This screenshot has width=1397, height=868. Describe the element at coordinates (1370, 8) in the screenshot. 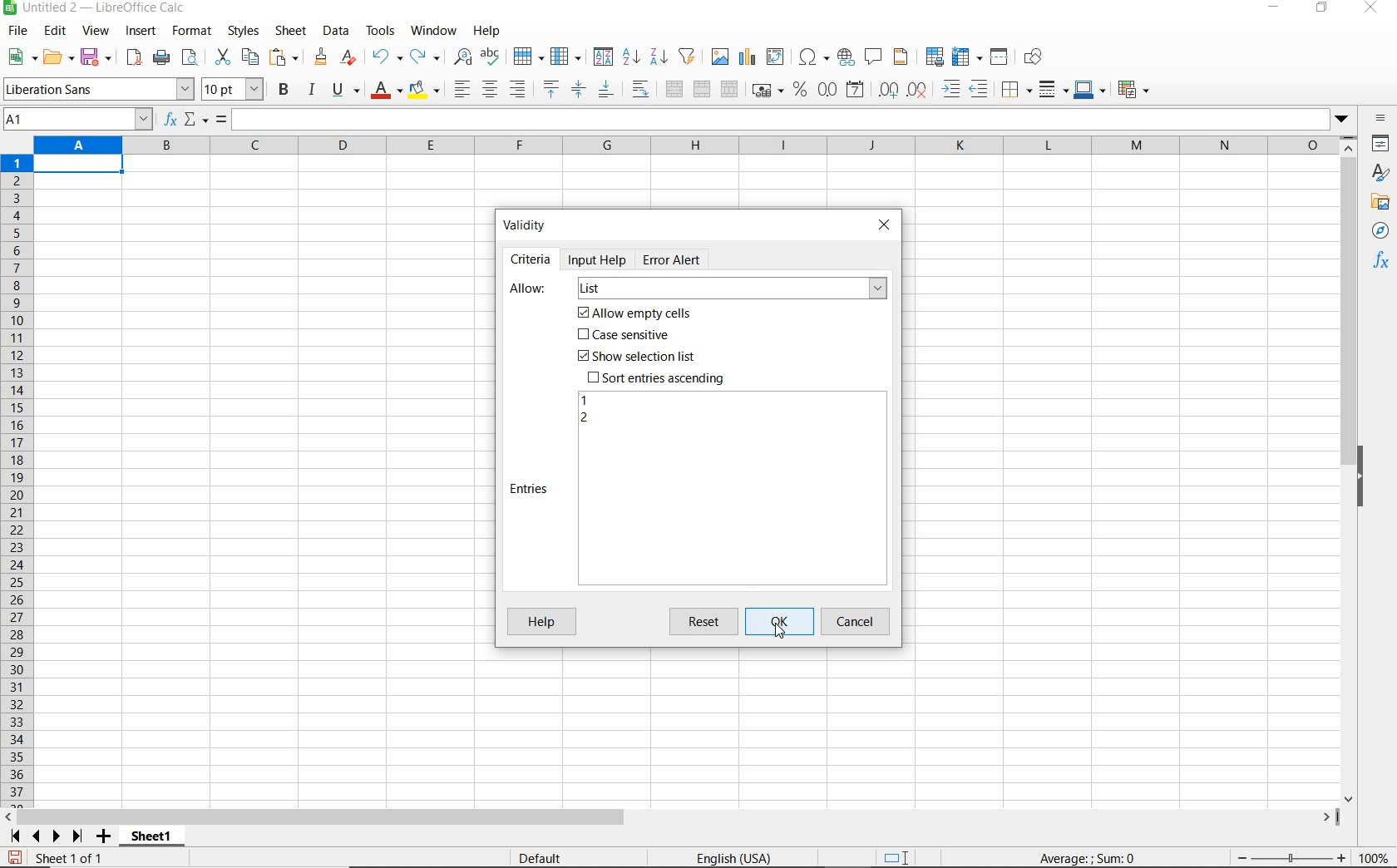

I see `close` at that location.